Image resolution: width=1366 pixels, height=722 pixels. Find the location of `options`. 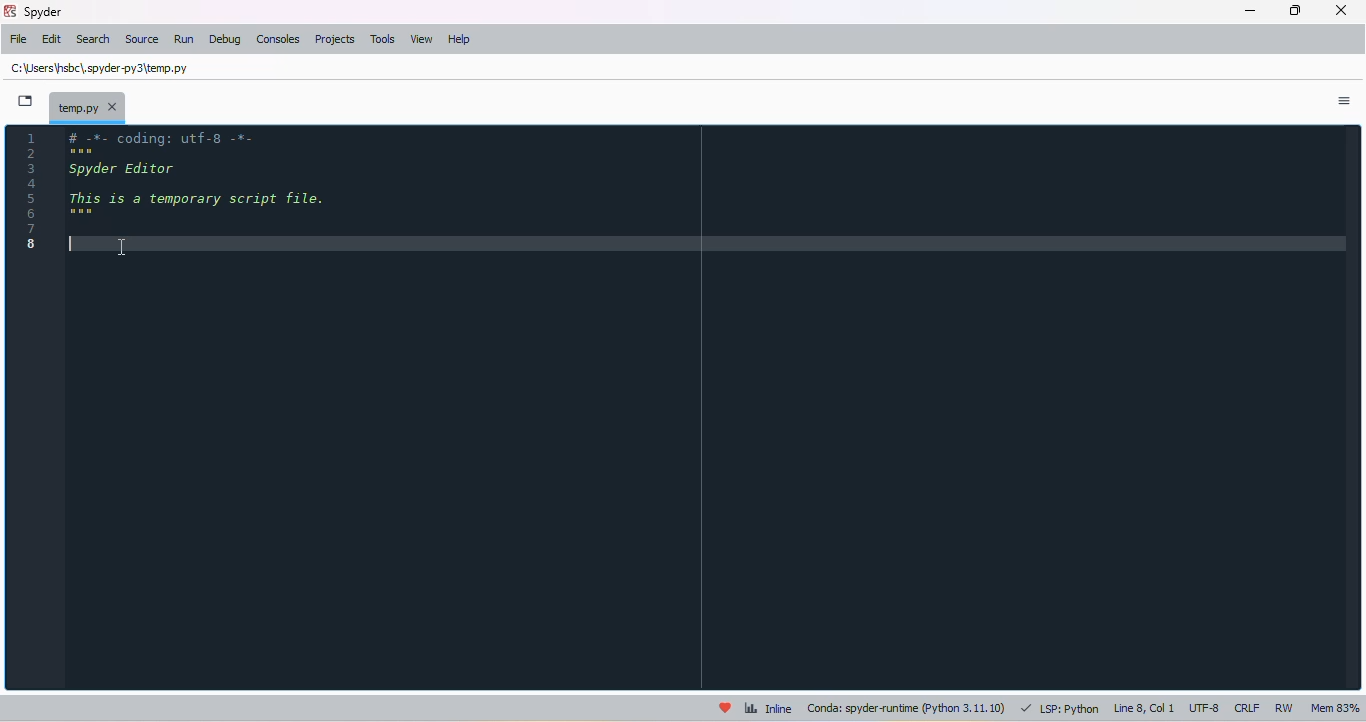

options is located at coordinates (1344, 100).